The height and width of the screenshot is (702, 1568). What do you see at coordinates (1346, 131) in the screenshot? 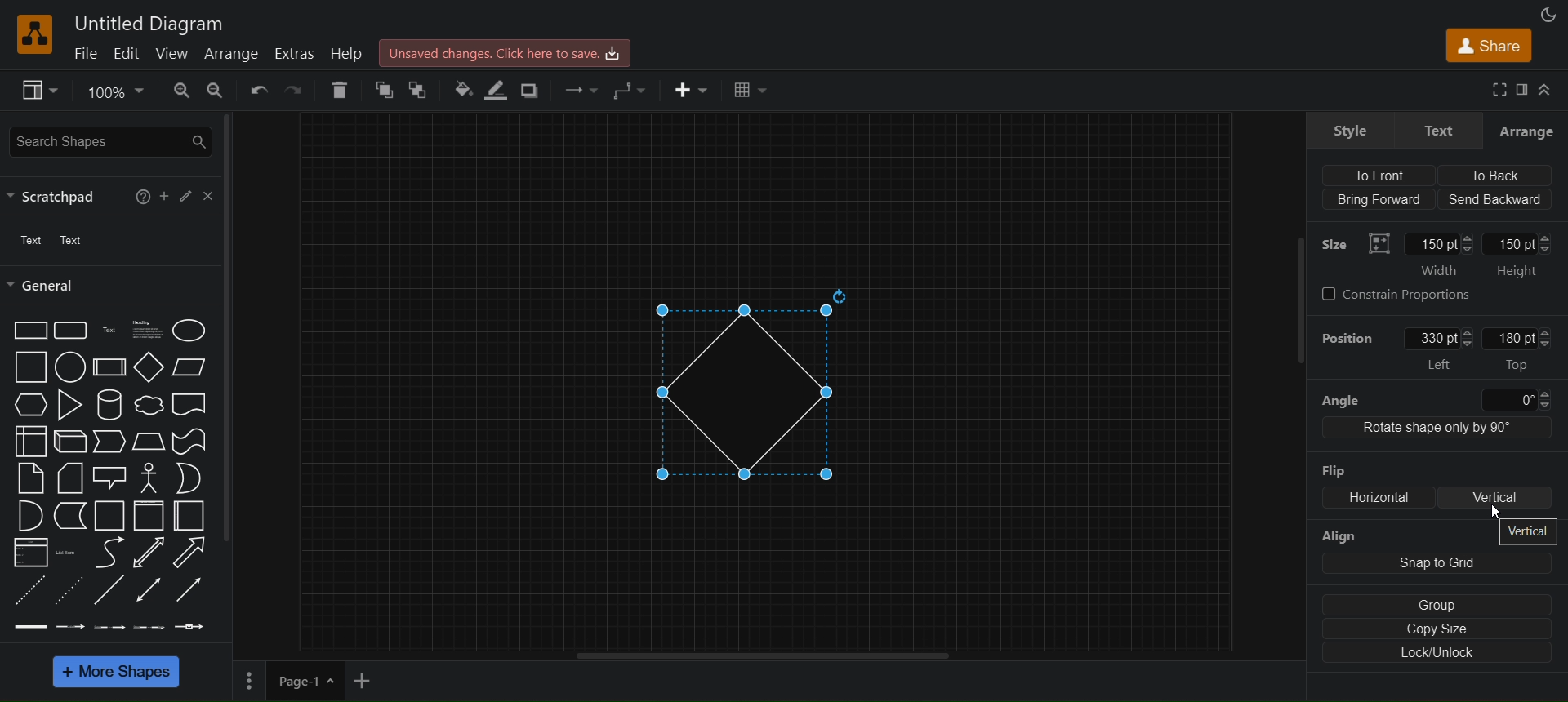
I see `style` at bounding box center [1346, 131].